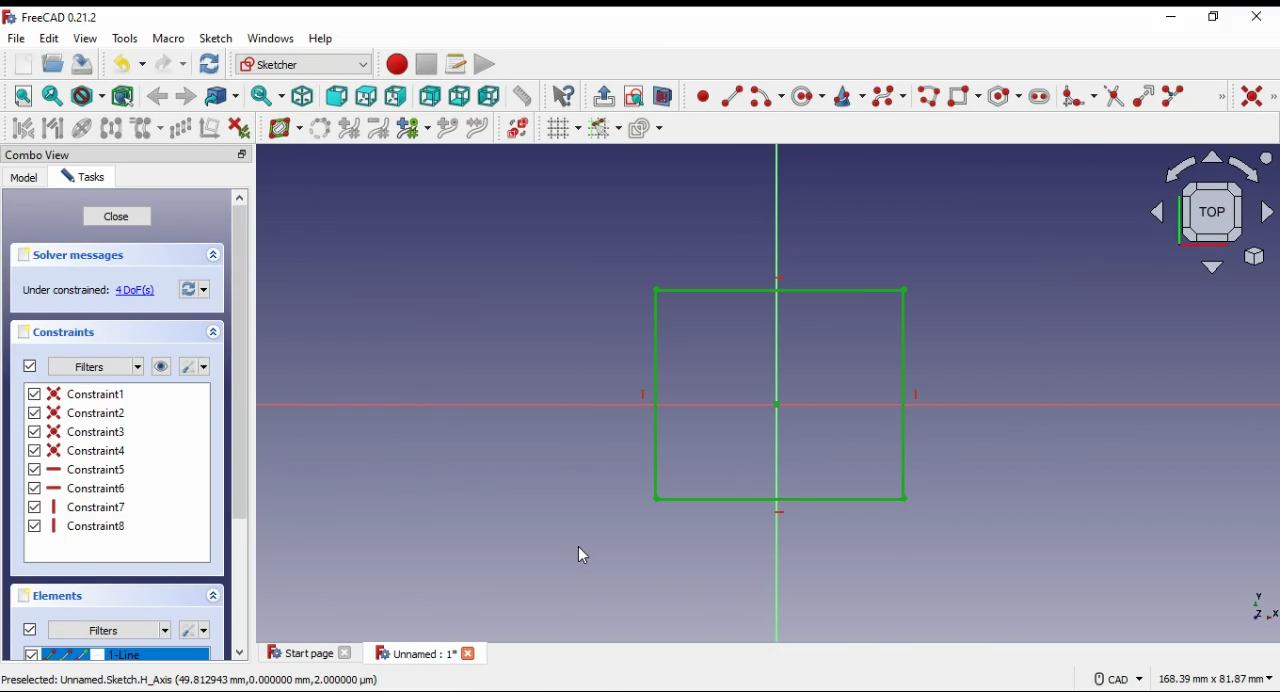 Image resolution: width=1280 pixels, height=692 pixels. Describe the element at coordinates (186, 97) in the screenshot. I see `forward` at that location.